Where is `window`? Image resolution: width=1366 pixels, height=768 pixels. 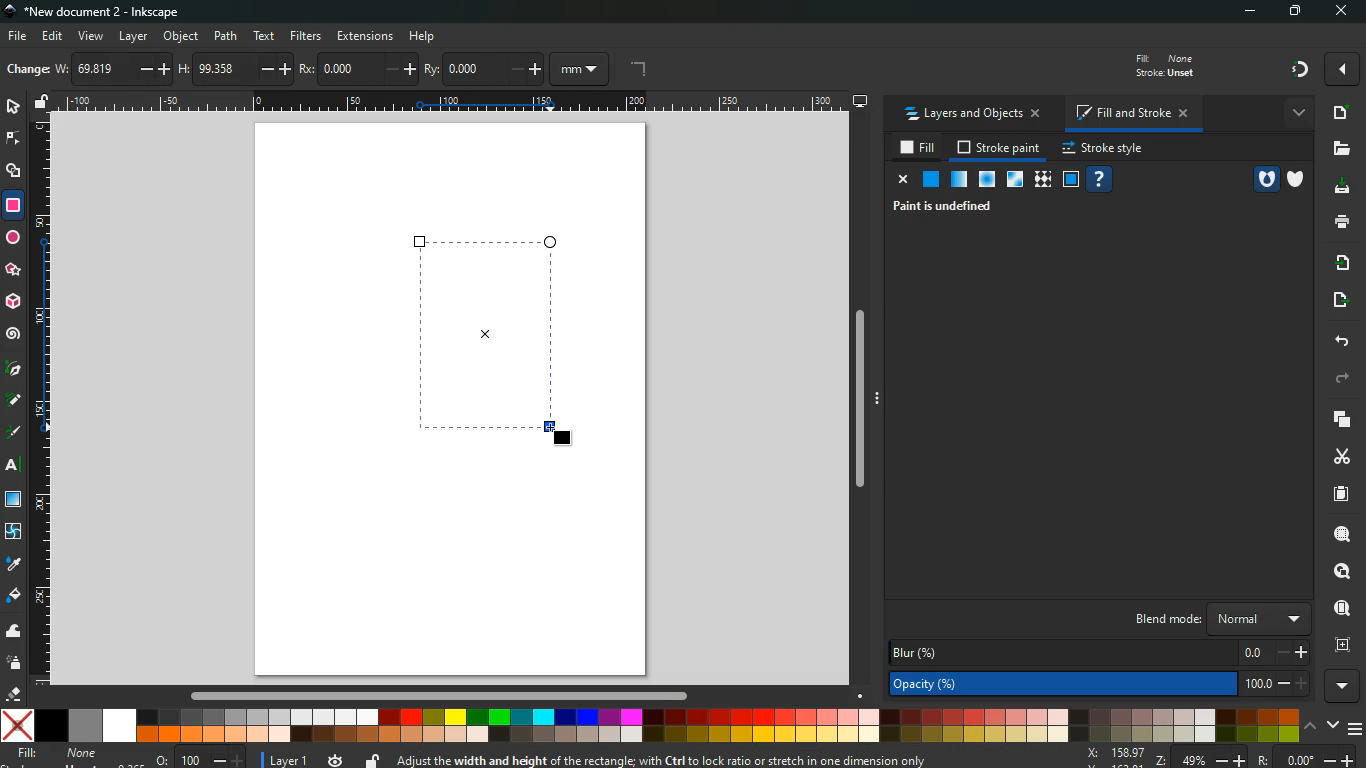
window is located at coordinates (1014, 181).